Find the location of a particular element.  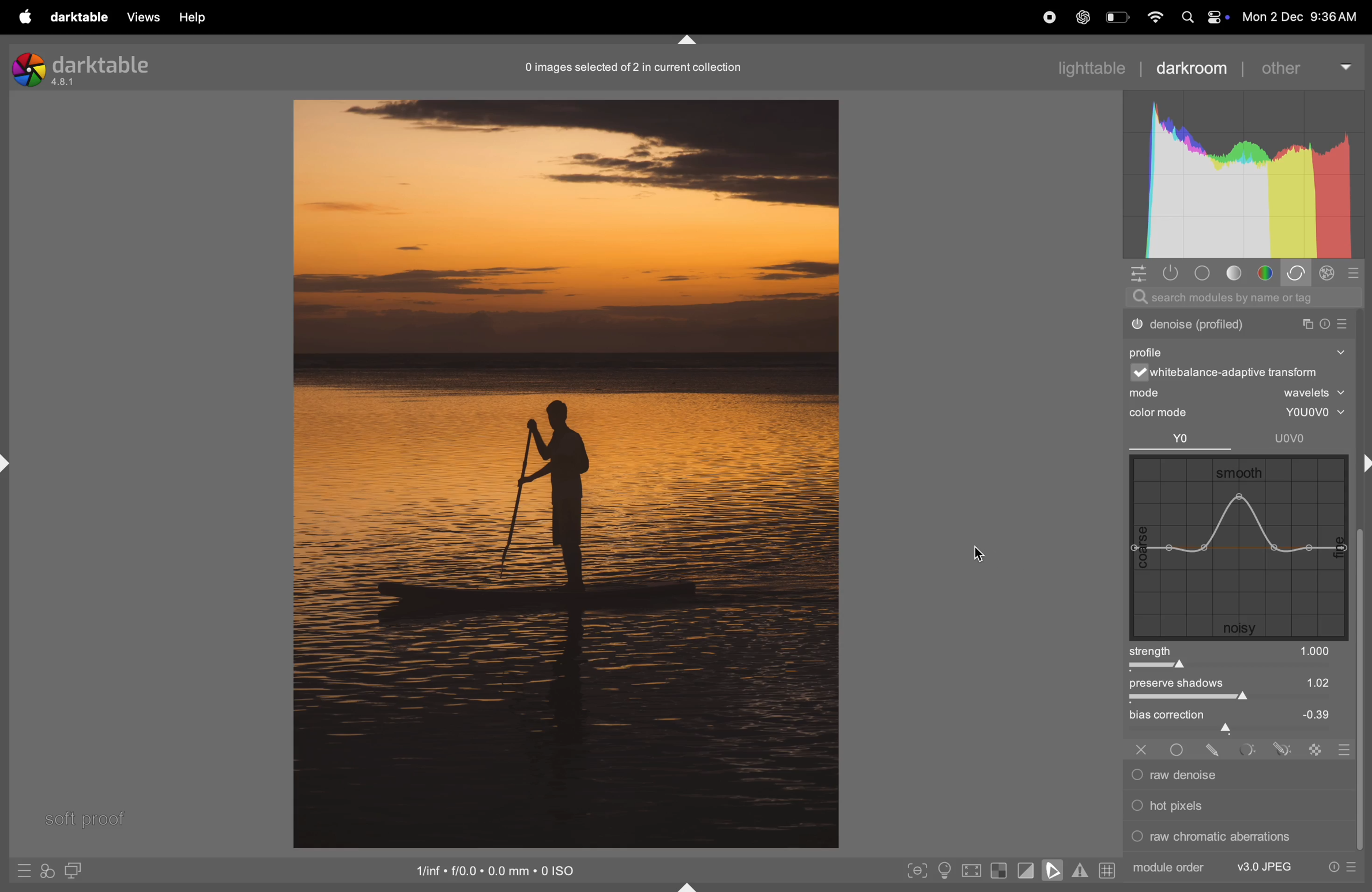

youovo is located at coordinates (1307, 413).